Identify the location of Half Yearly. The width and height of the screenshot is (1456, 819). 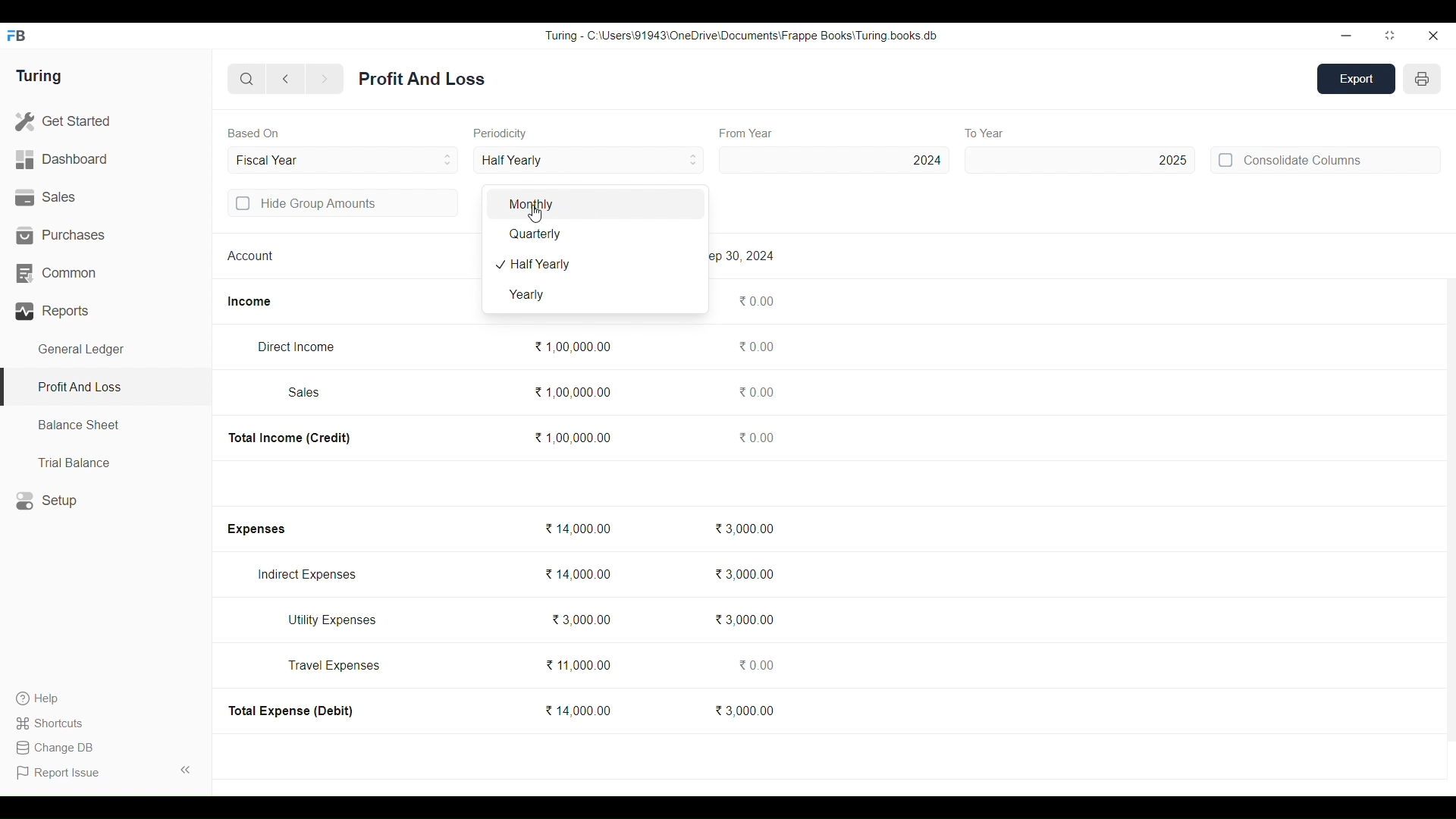
(588, 159).